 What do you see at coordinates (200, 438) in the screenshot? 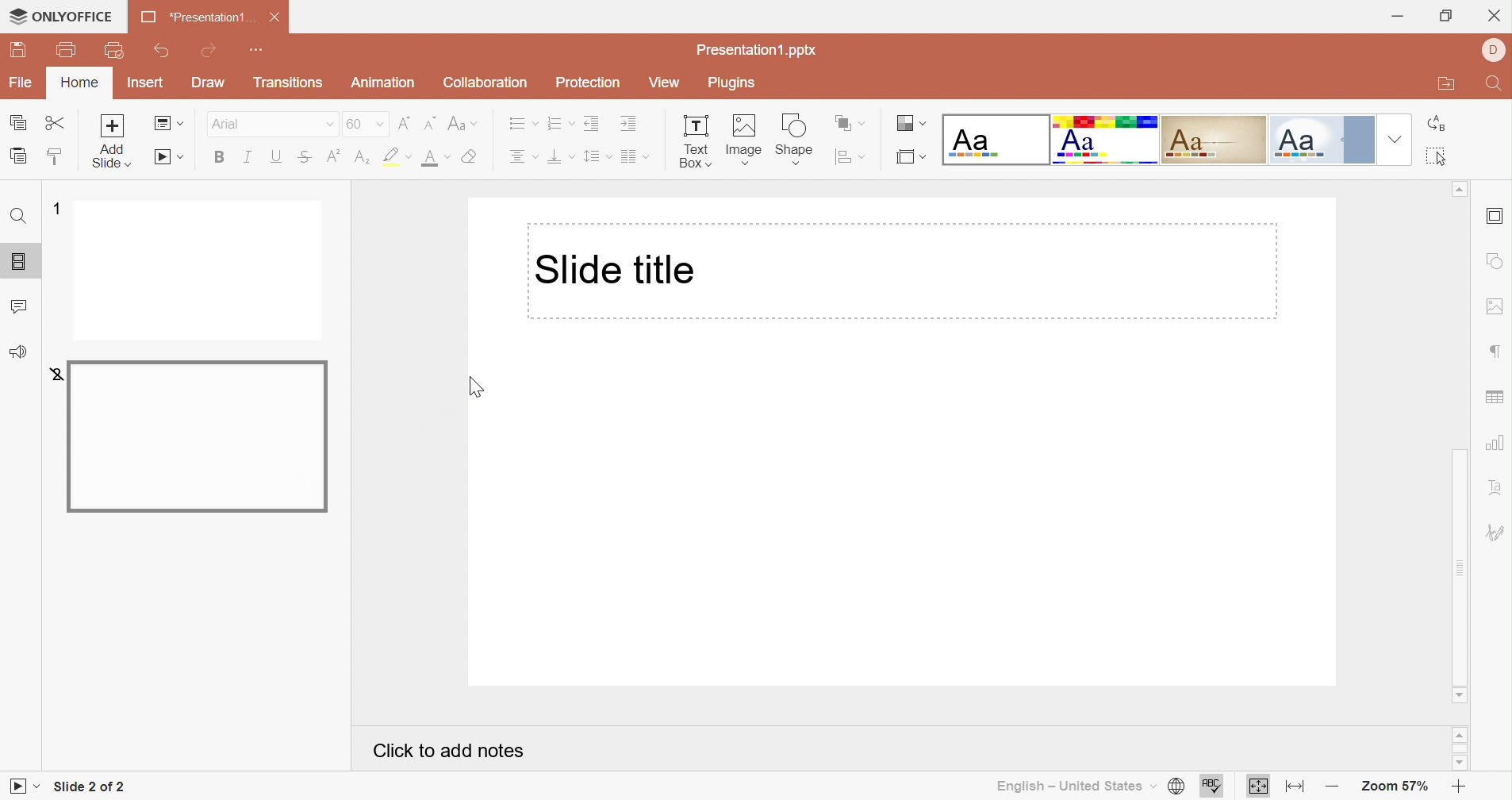
I see `Hidden slide` at bounding box center [200, 438].